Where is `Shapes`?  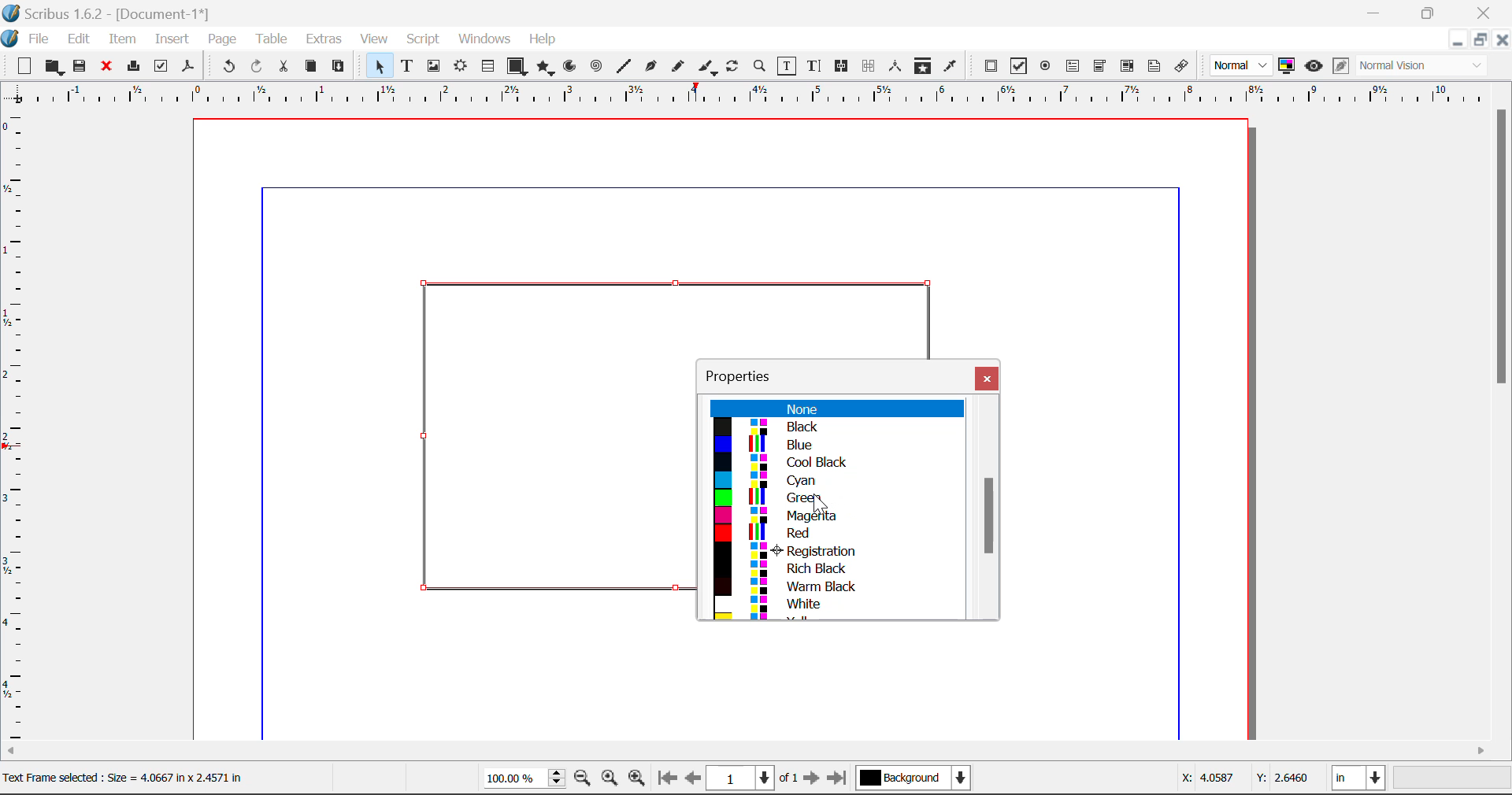
Shapes is located at coordinates (517, 65).